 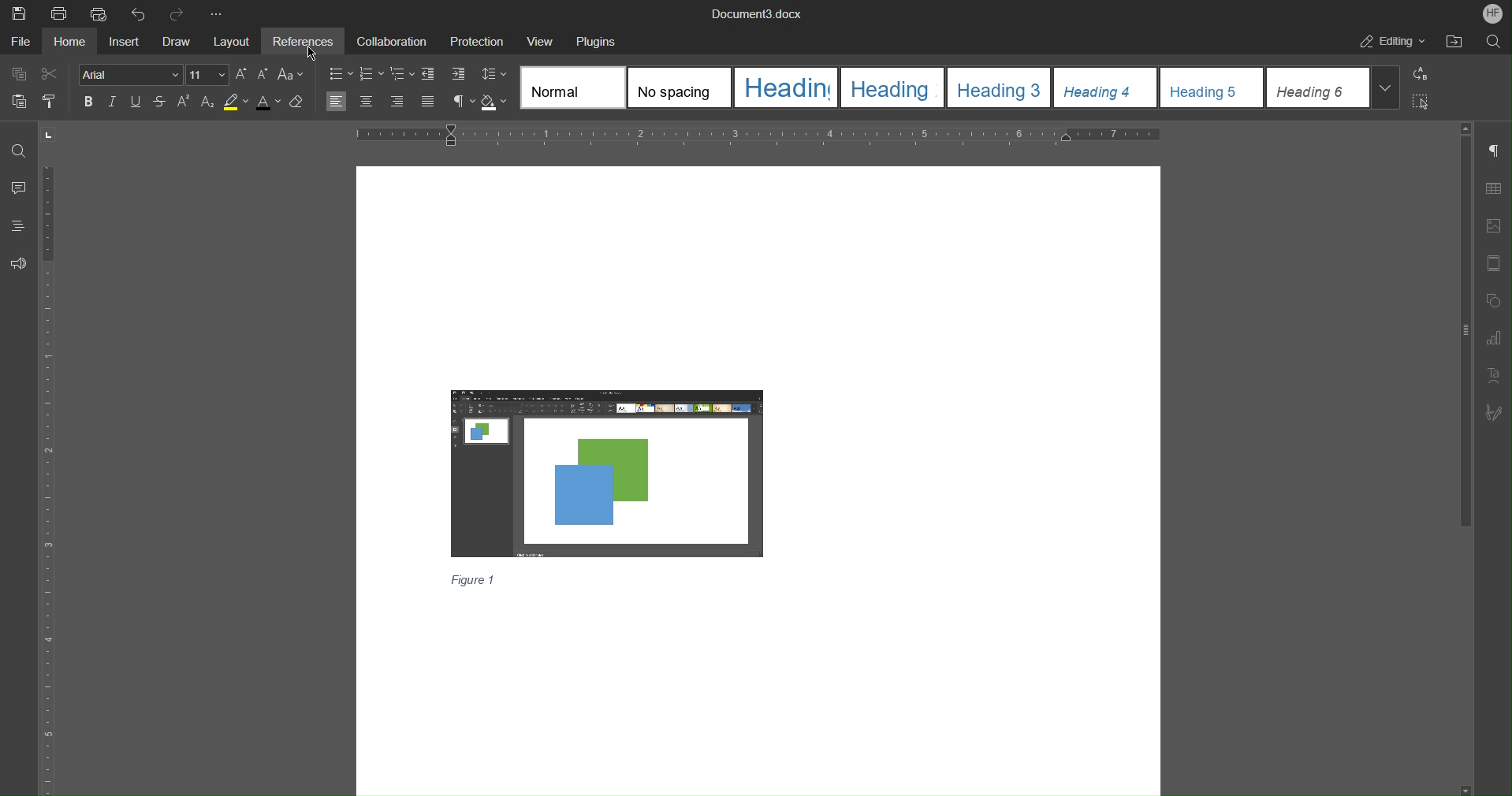 I want to click on References, so click(x=300, y=39).